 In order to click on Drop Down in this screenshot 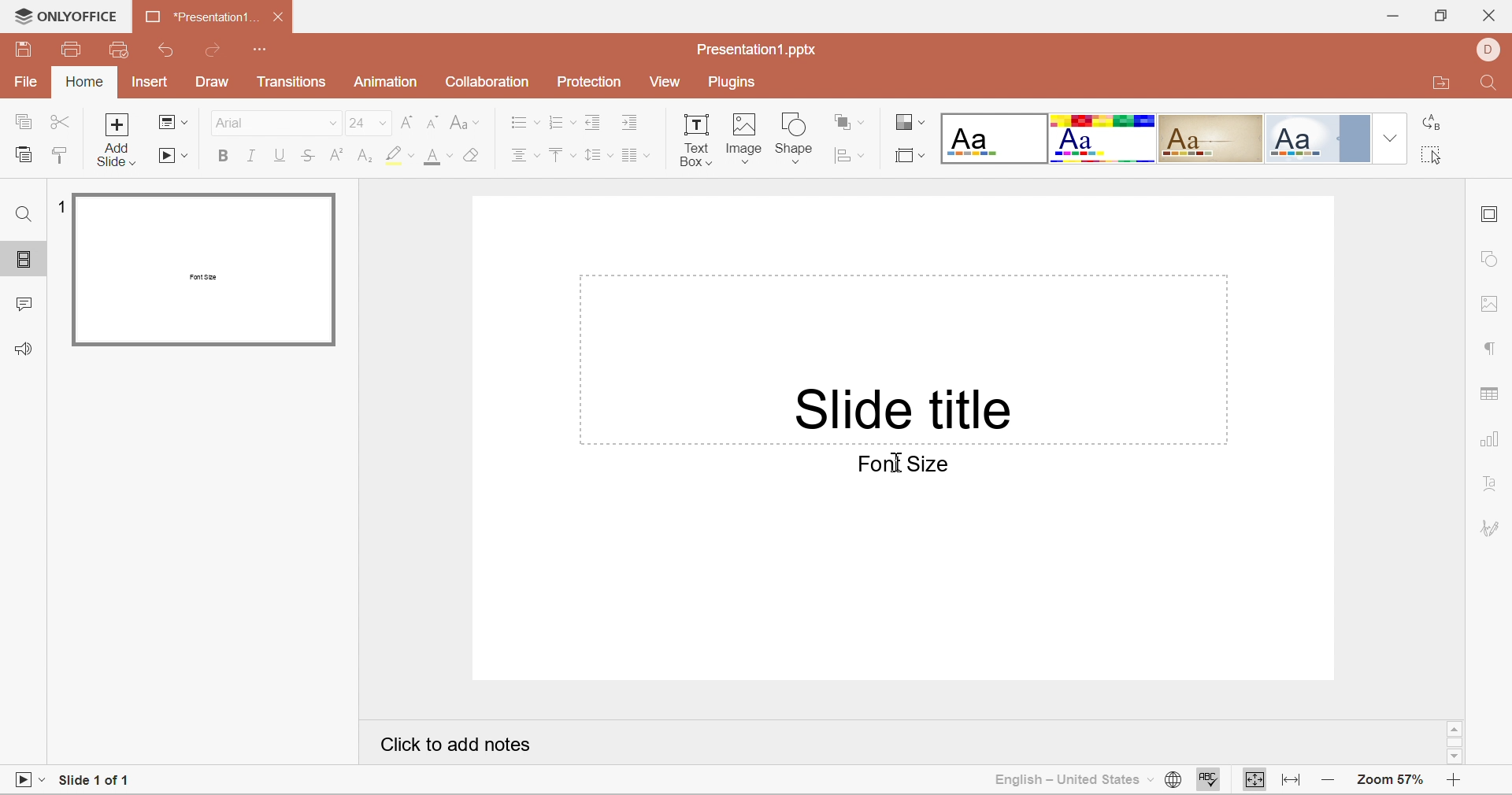, I will do `click(333, 128)`.